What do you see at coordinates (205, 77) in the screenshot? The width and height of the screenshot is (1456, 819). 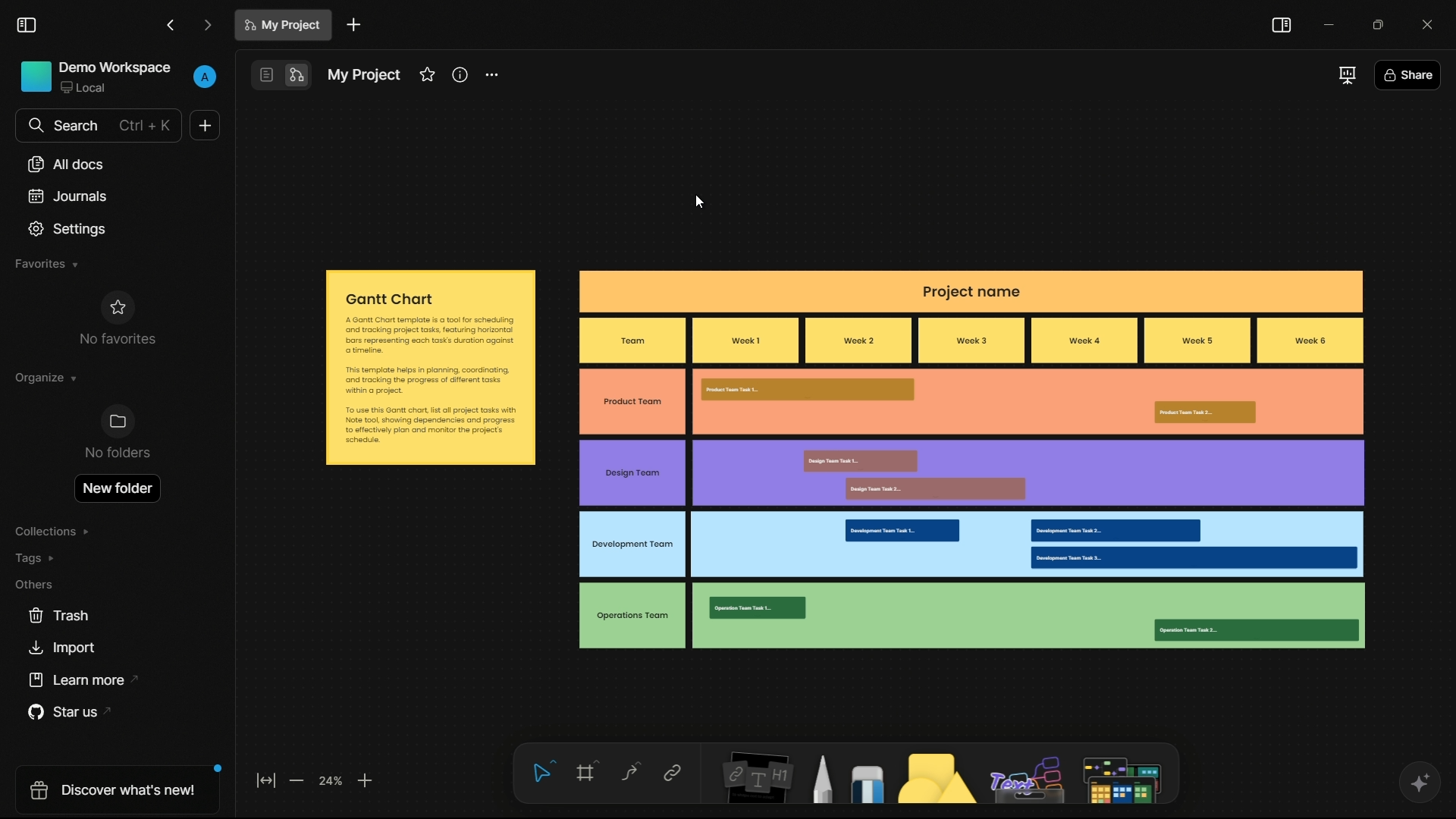 I see `profile settings` at bounding box center [205, 77].